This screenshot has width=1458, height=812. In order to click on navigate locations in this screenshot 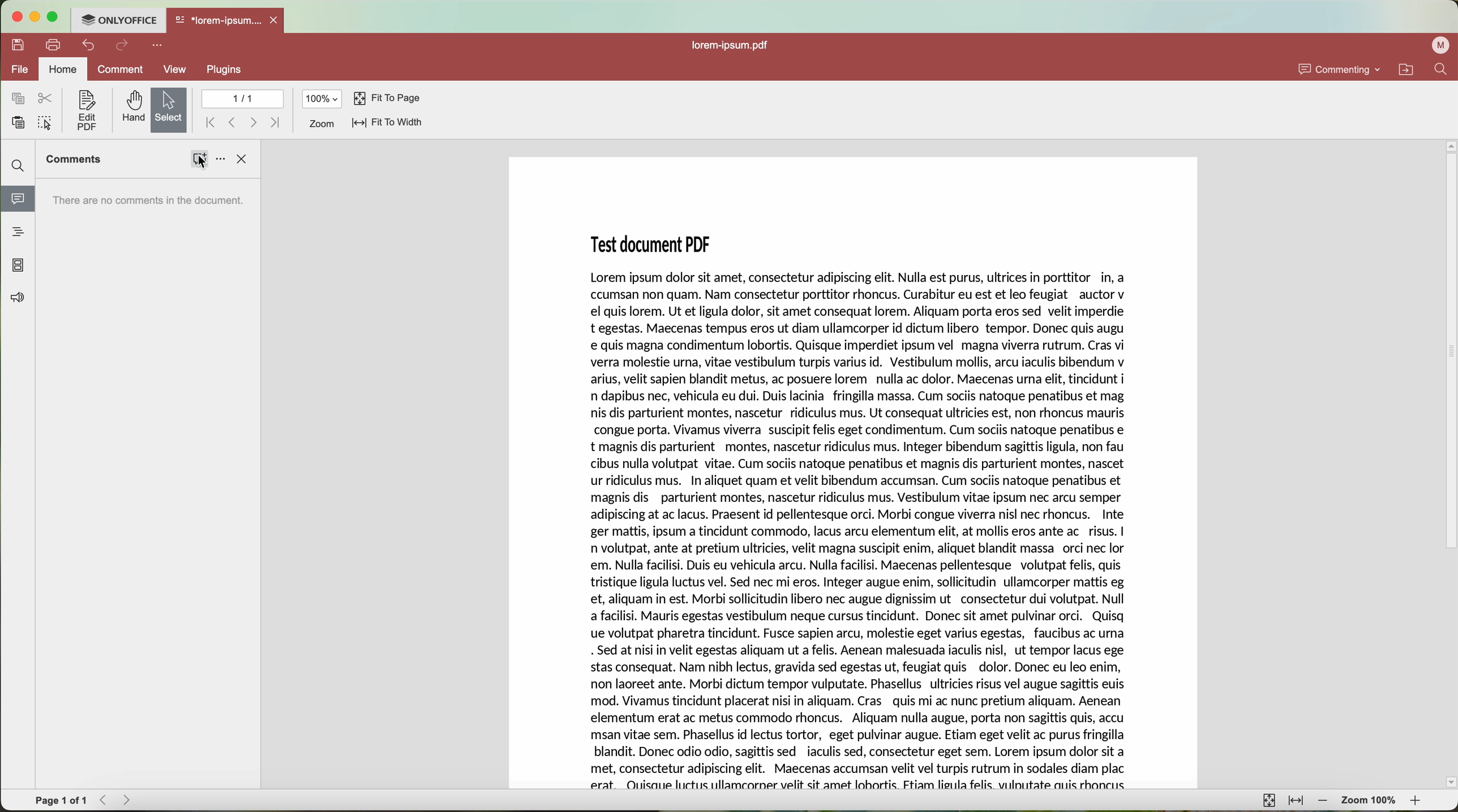, I will do `click(1410, 69)`.